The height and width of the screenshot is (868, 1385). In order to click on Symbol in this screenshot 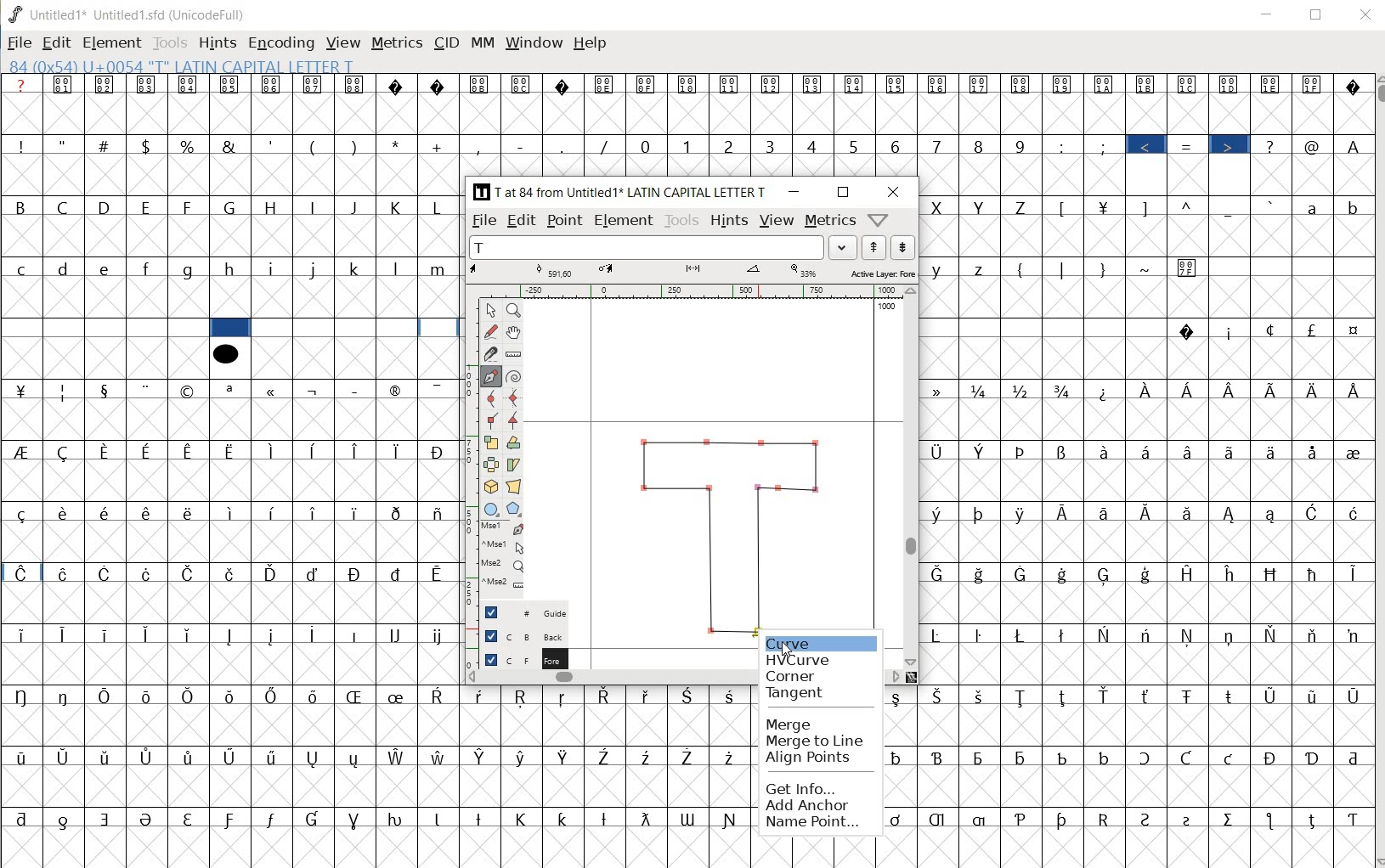, I will do `click(106, 758)`.